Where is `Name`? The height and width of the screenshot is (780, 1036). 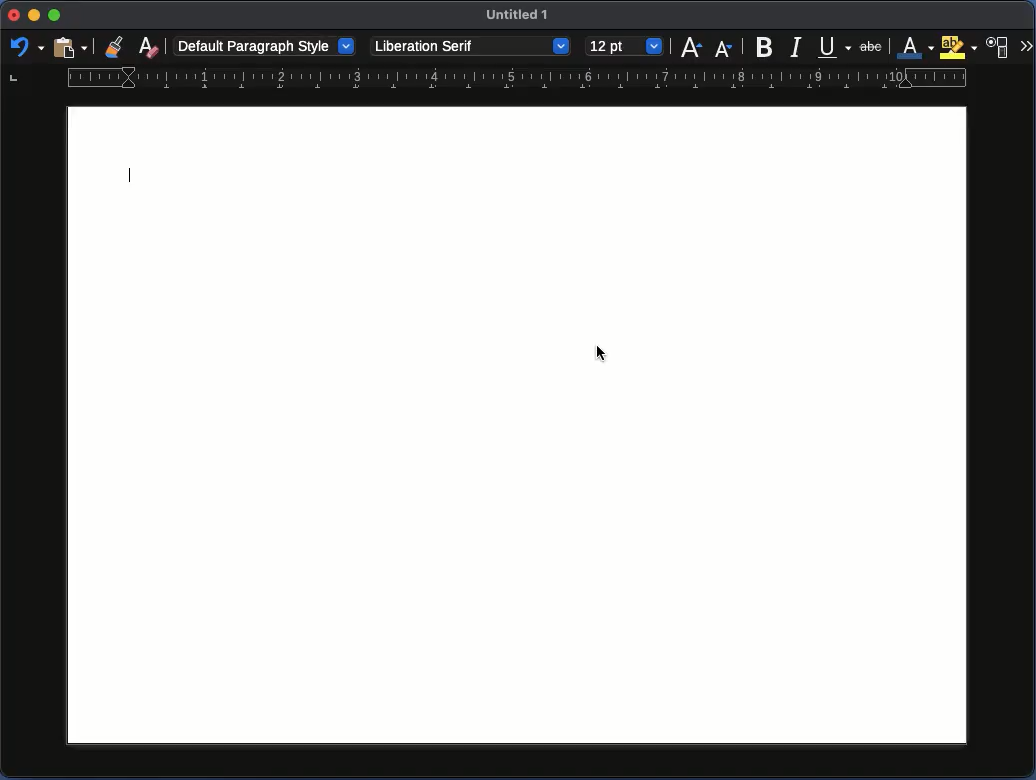
Name is located at coordinates (521, 18).